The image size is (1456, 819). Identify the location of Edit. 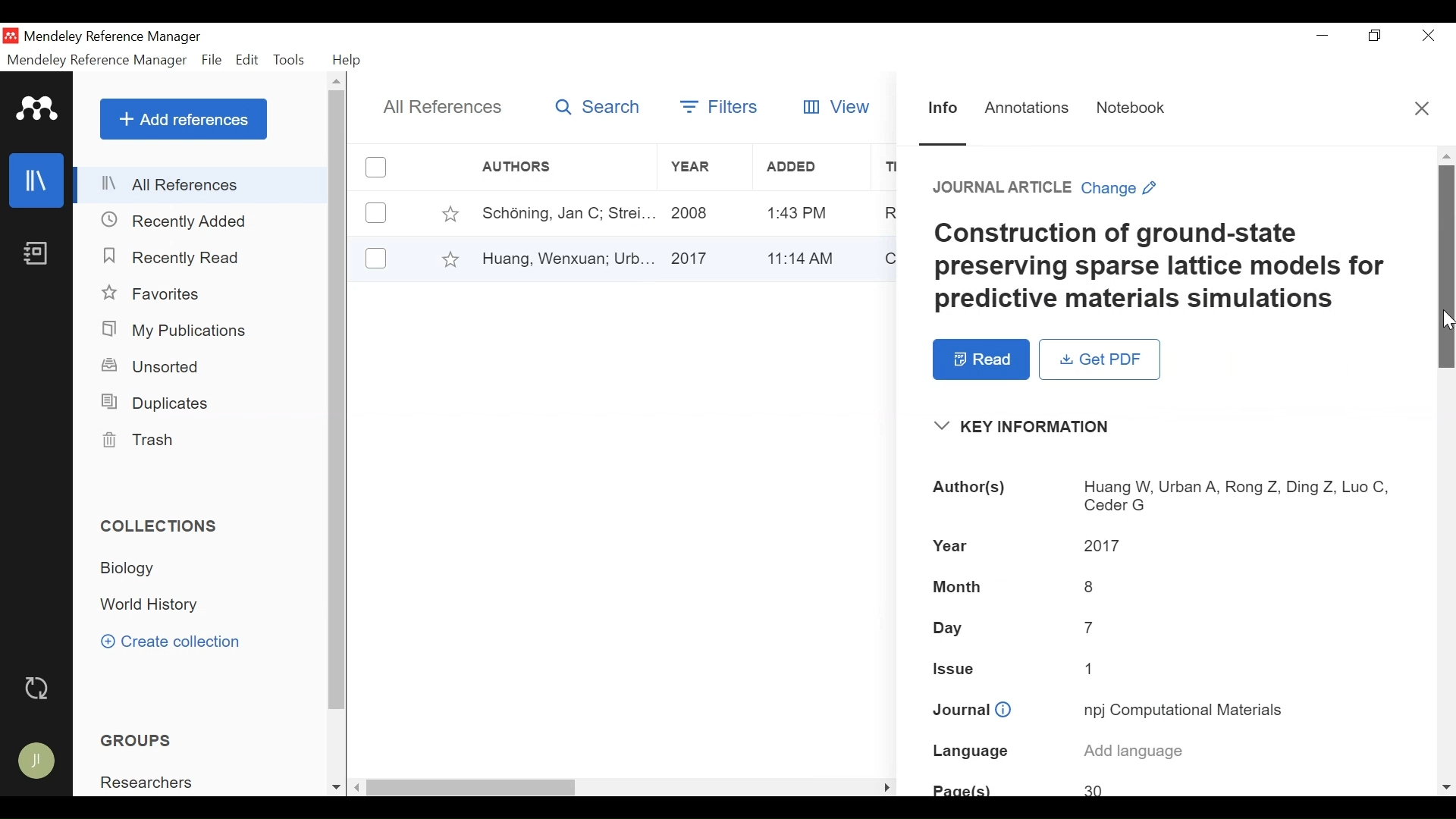
(247, 60).